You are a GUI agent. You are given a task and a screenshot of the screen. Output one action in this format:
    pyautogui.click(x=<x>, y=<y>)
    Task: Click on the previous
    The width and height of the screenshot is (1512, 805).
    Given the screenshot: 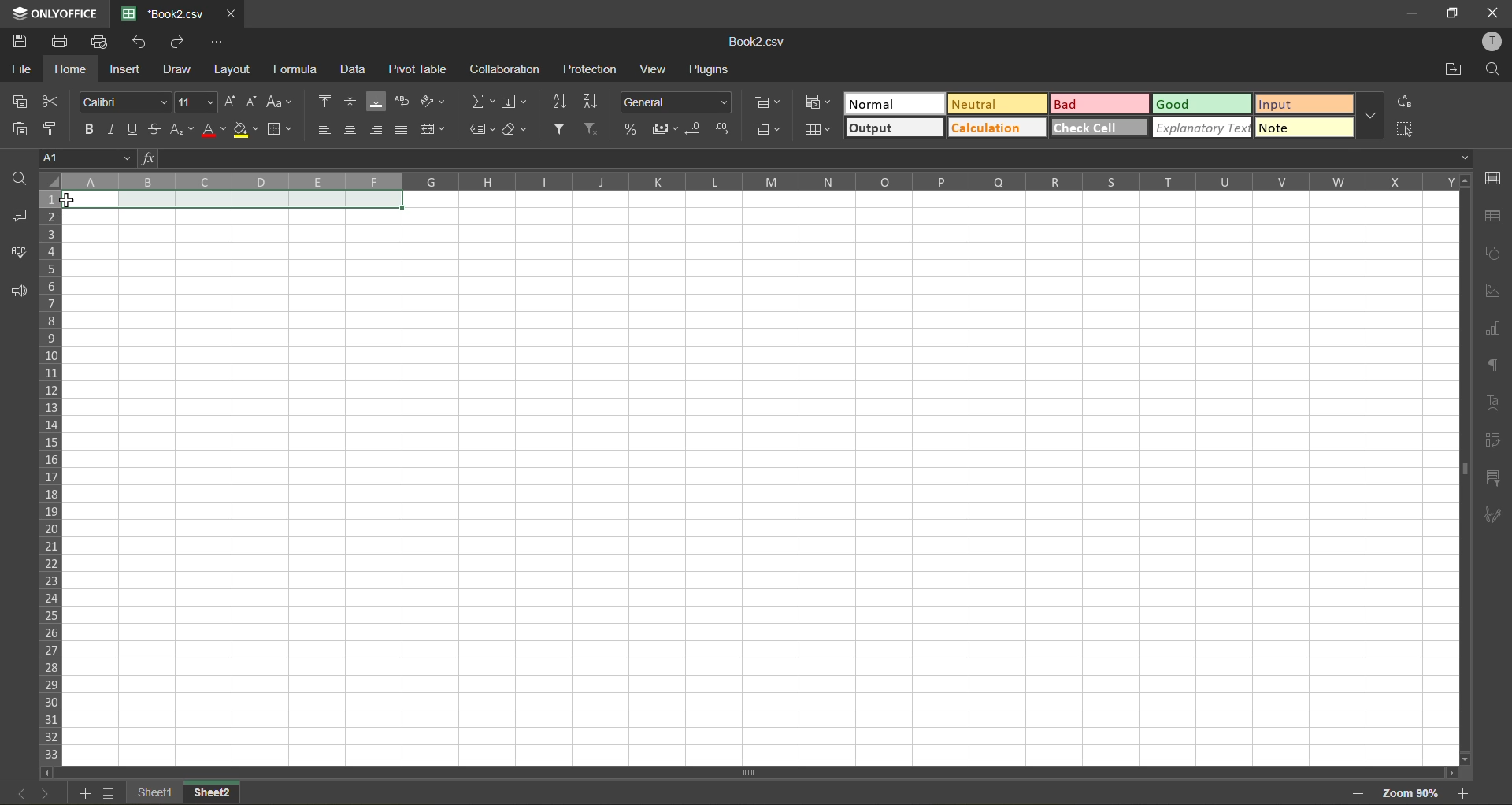 What is the action you would take?
    pyautogui.click(x=17, y=792)
    